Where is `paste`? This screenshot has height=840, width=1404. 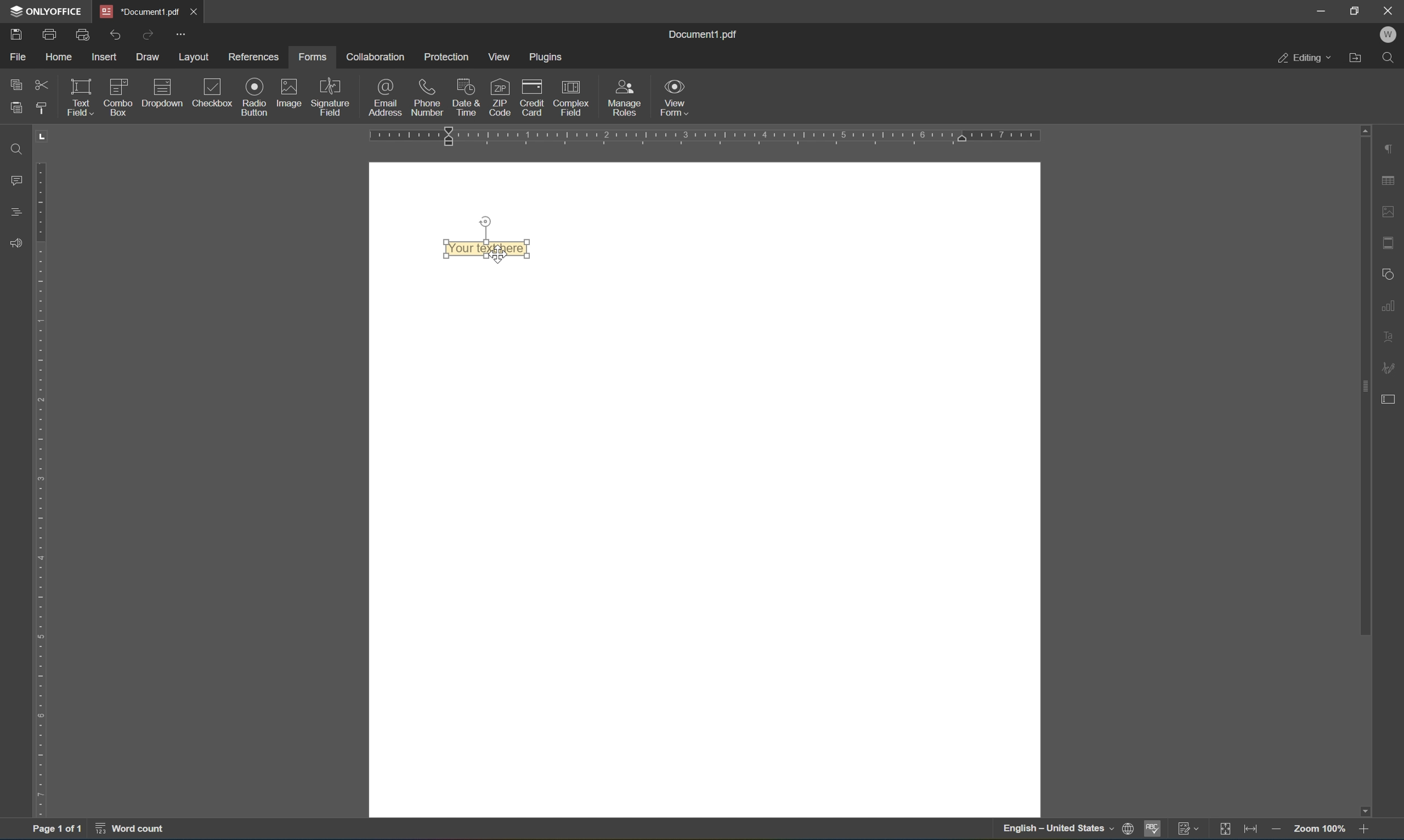 paste is located at coordinates (19, 108).